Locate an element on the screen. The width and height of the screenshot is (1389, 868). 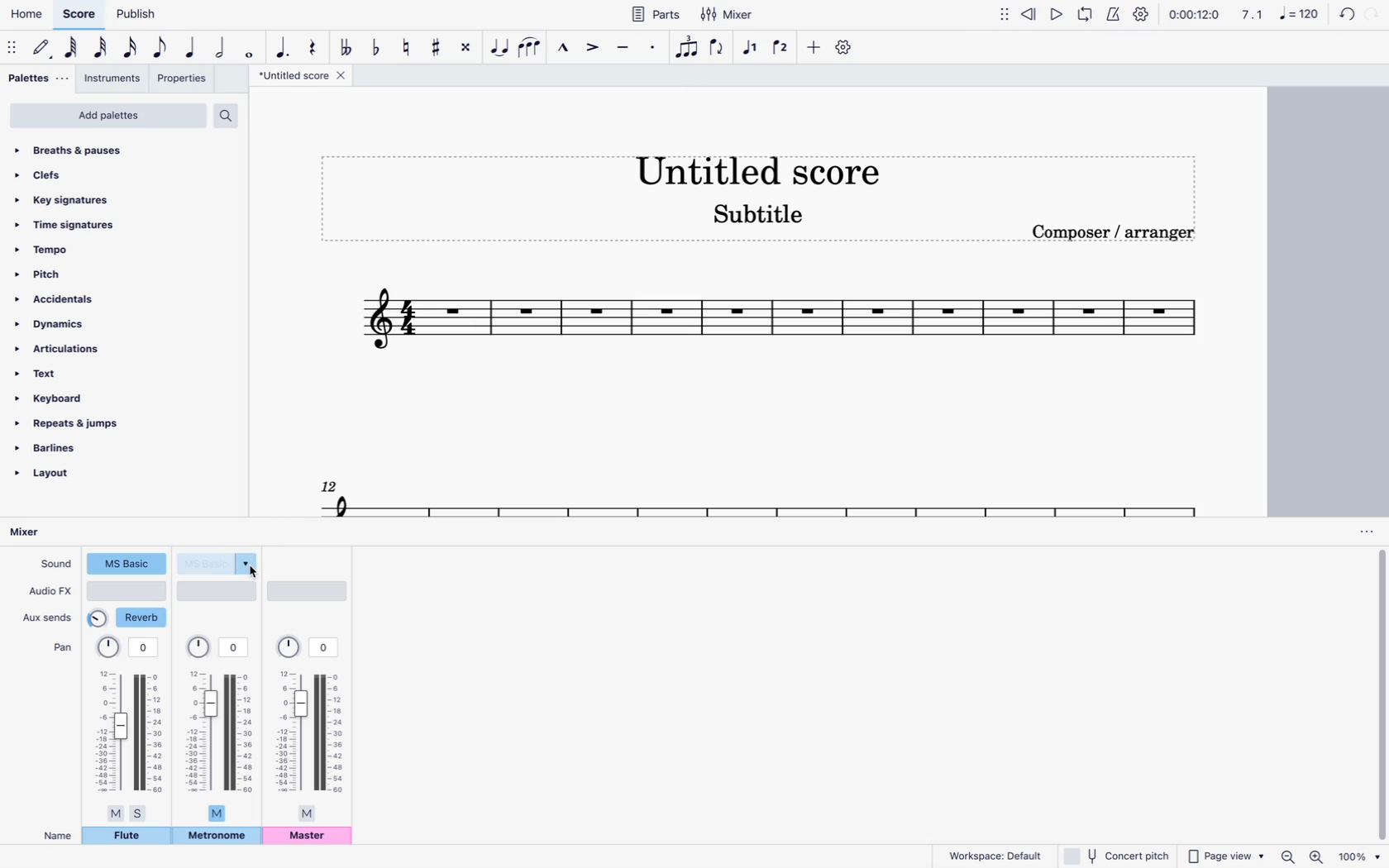
accent is located at coordinates (590, 51).